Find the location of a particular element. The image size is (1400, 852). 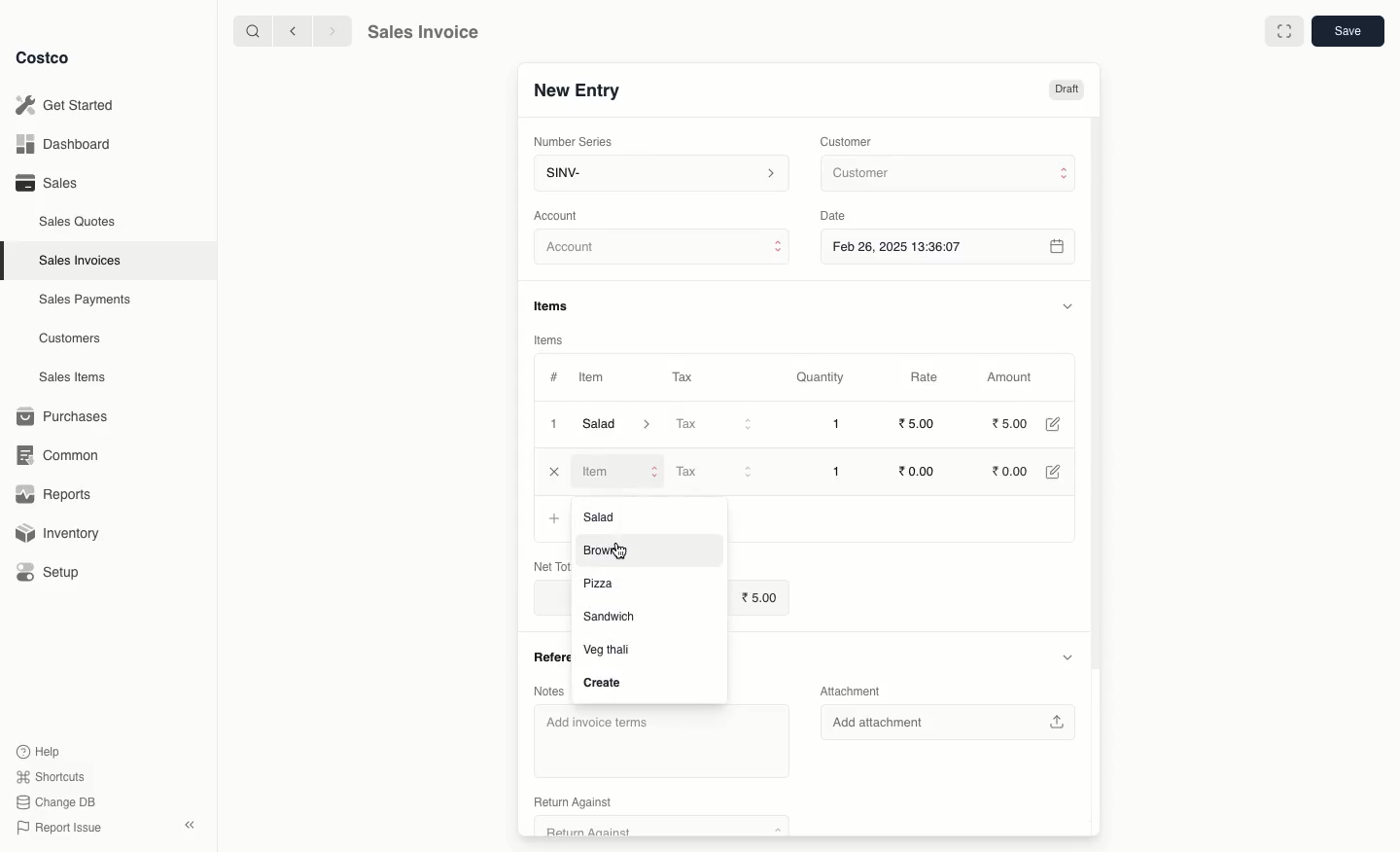

Salad is located at coordinates (604, 517).